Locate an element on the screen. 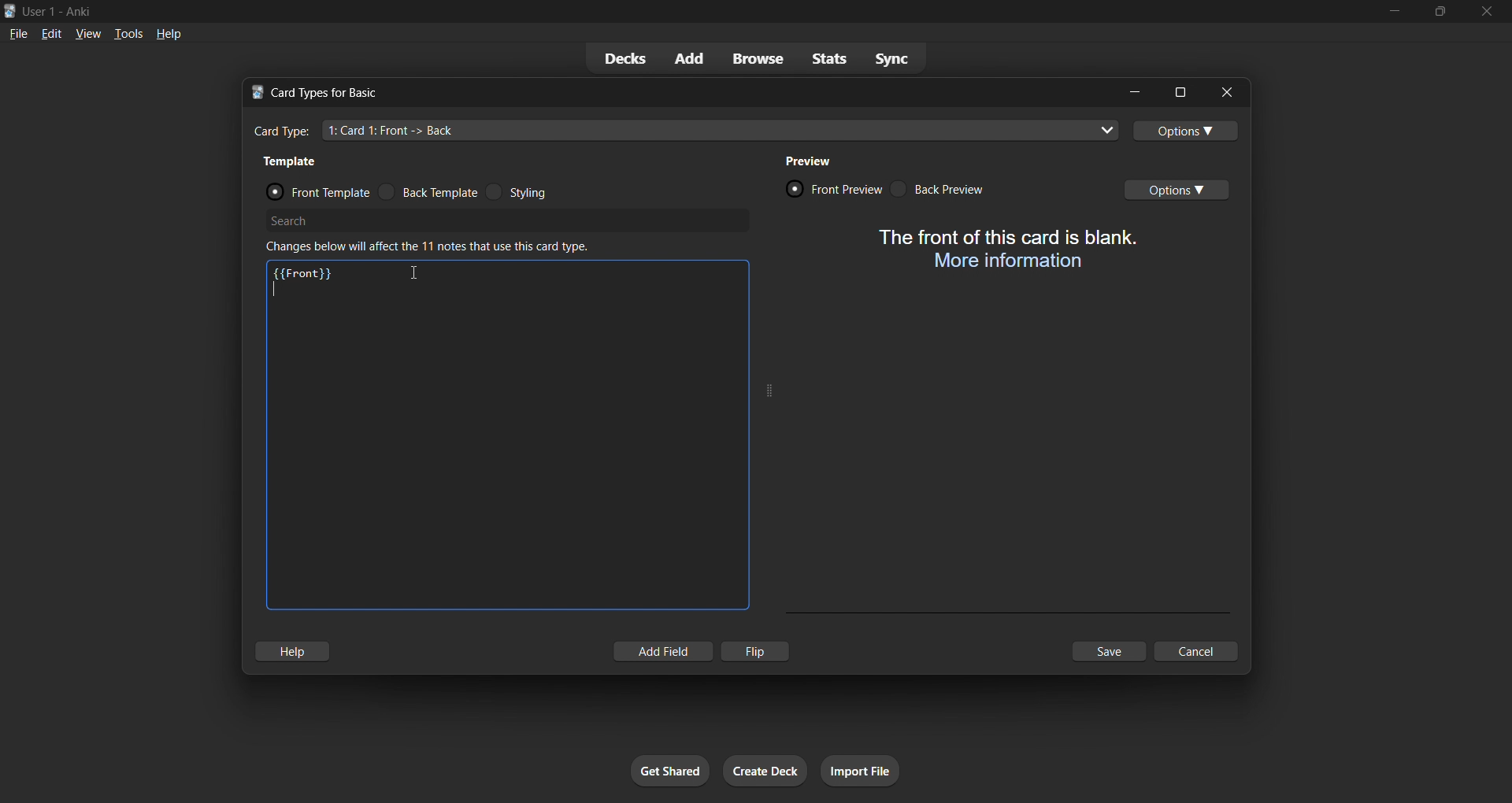 This screenshot has width=1512, height=803. text cursor is located at coordinates (276, 290).